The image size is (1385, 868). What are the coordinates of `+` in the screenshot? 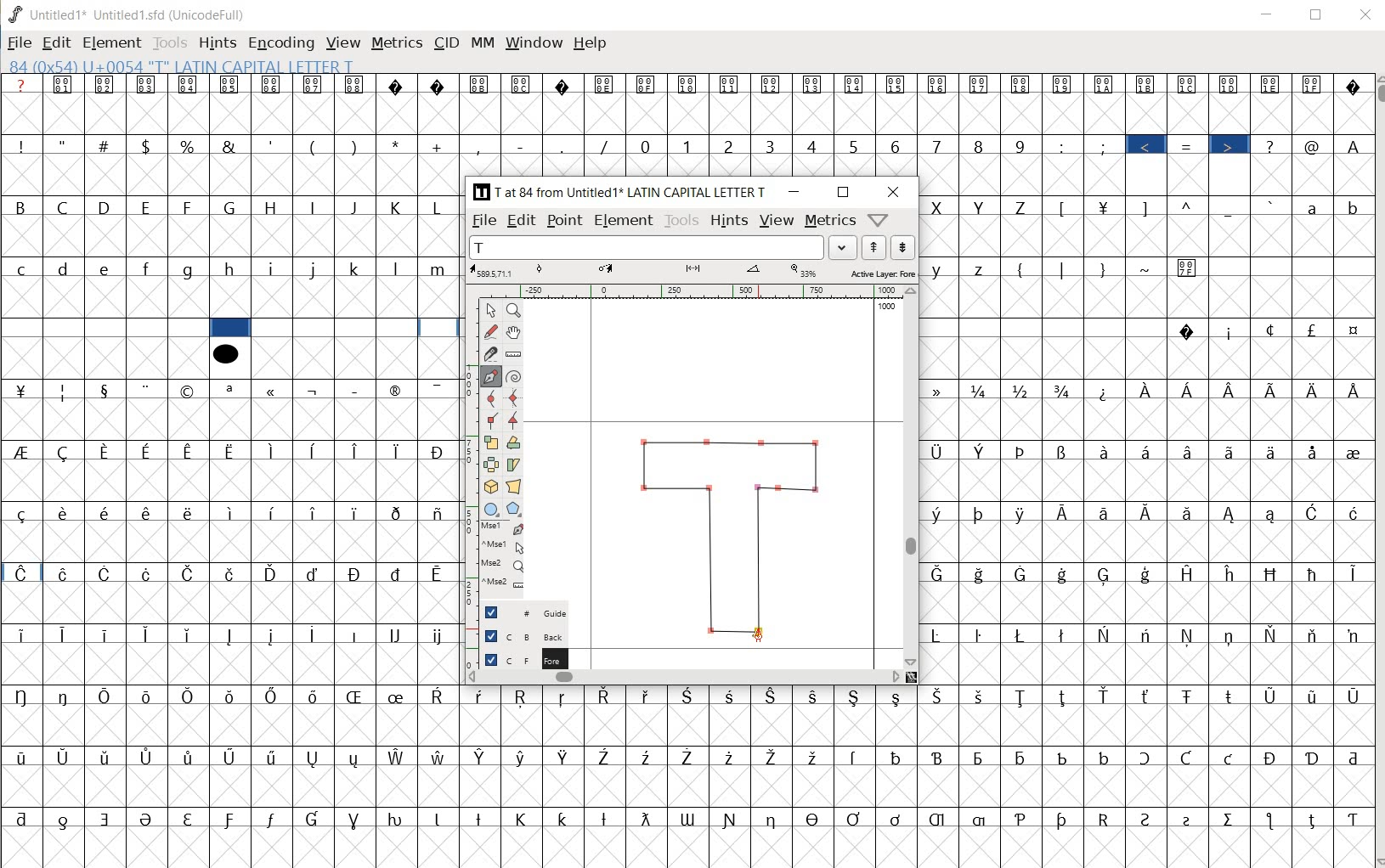 It's located at (439, 146).